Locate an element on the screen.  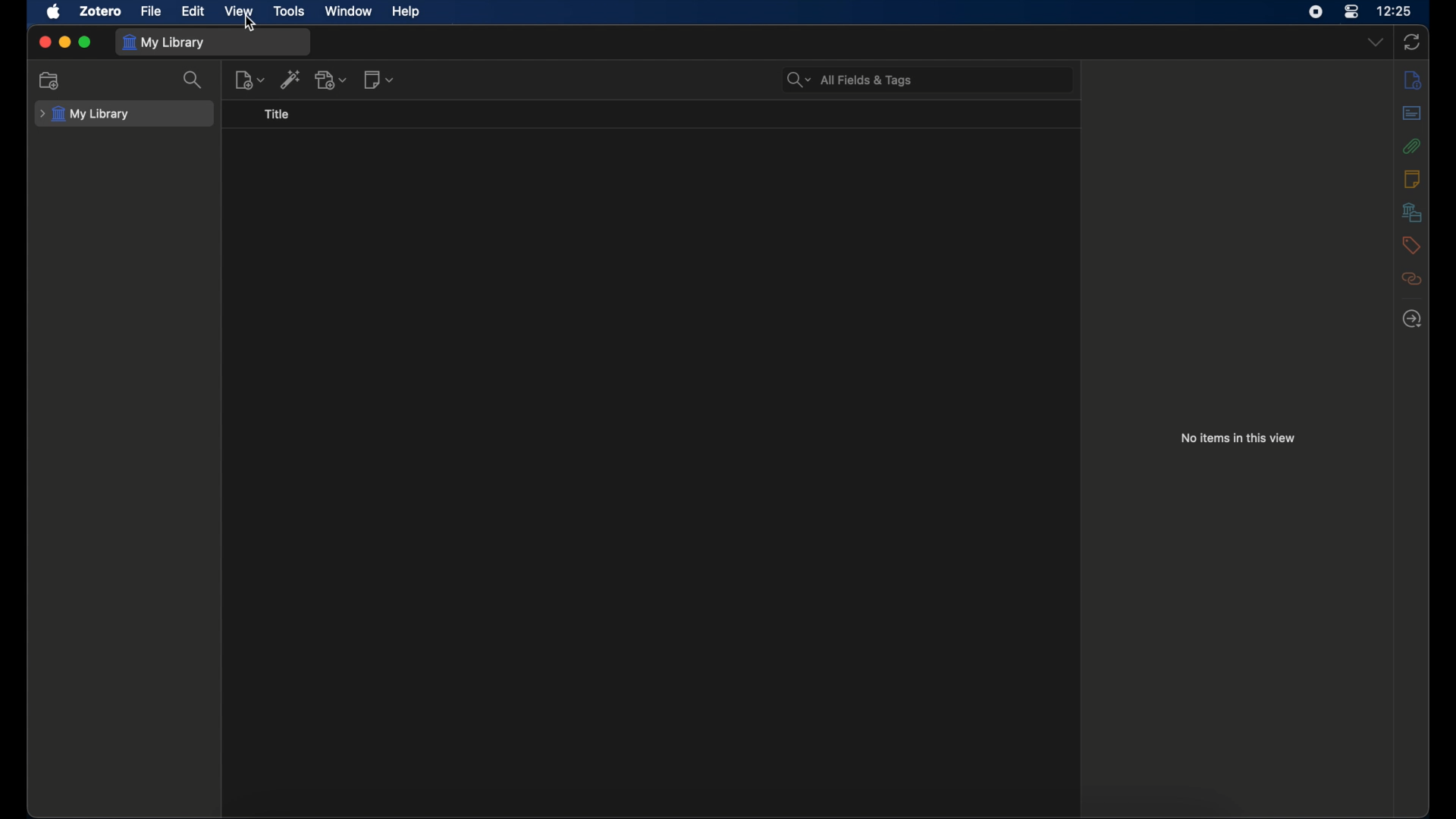
search is located at coordinates (192, 80).